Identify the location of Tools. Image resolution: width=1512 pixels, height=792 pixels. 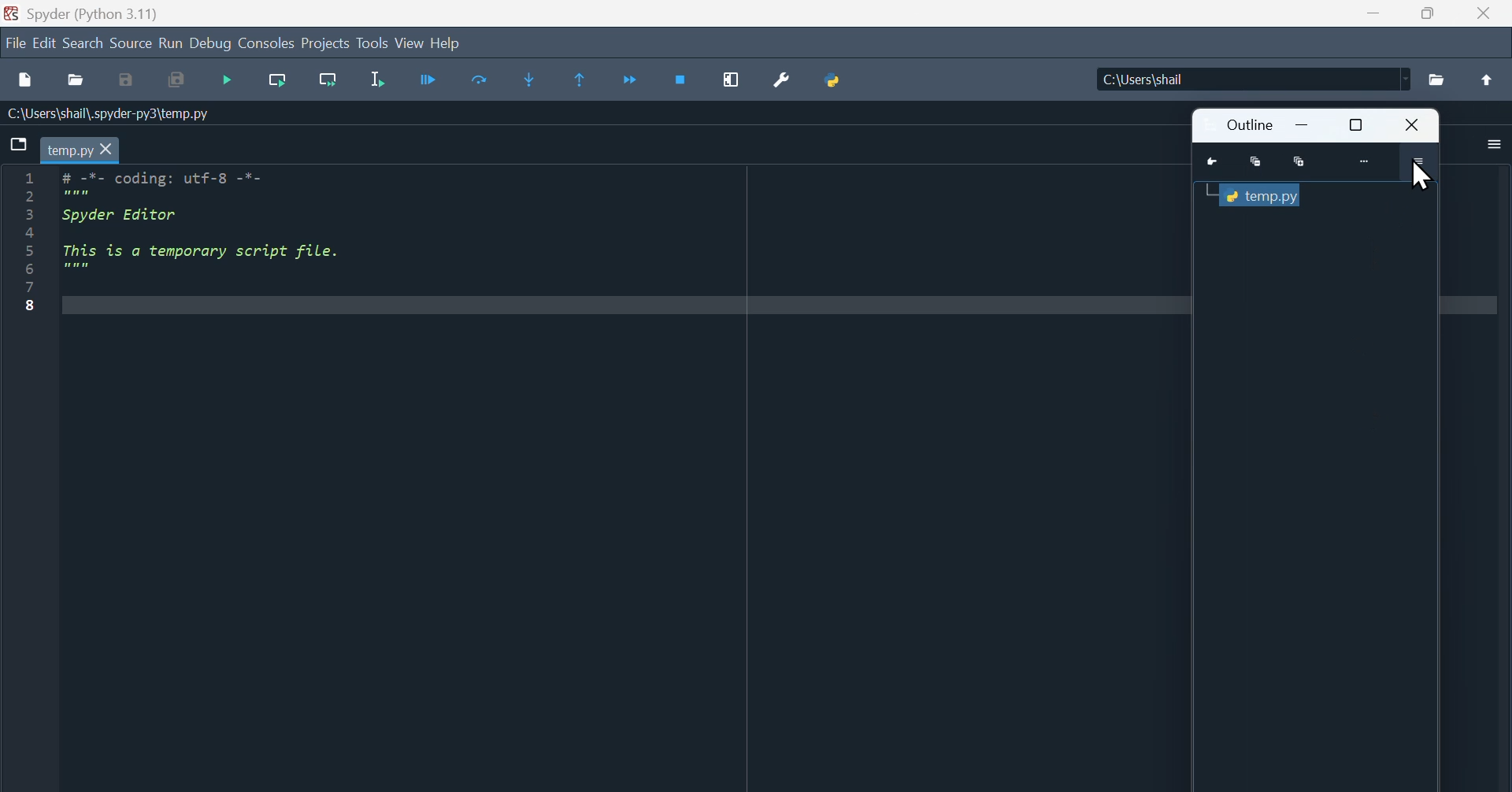
(373, 41).